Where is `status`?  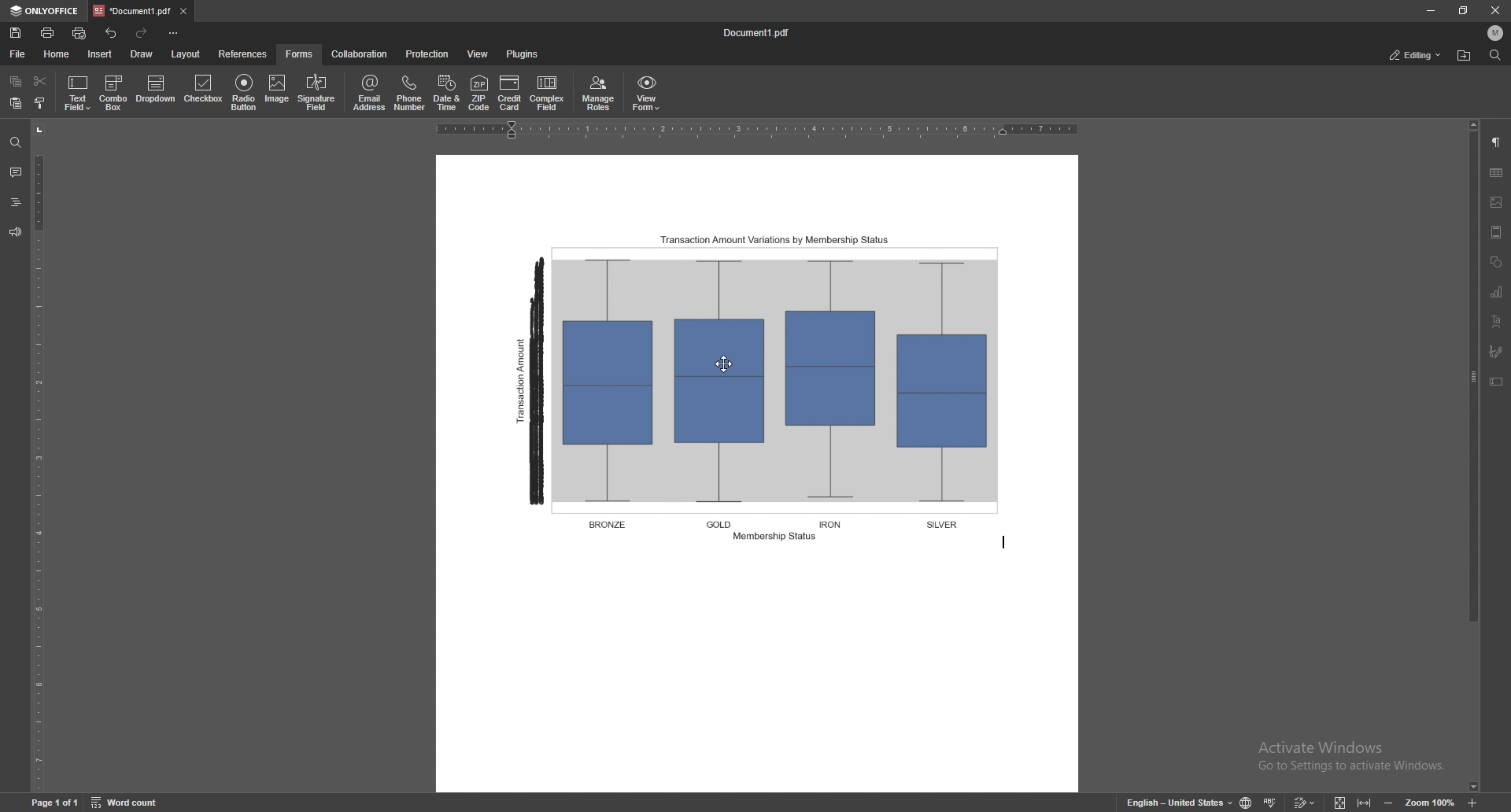
status is located at coordinates (1414, 54).